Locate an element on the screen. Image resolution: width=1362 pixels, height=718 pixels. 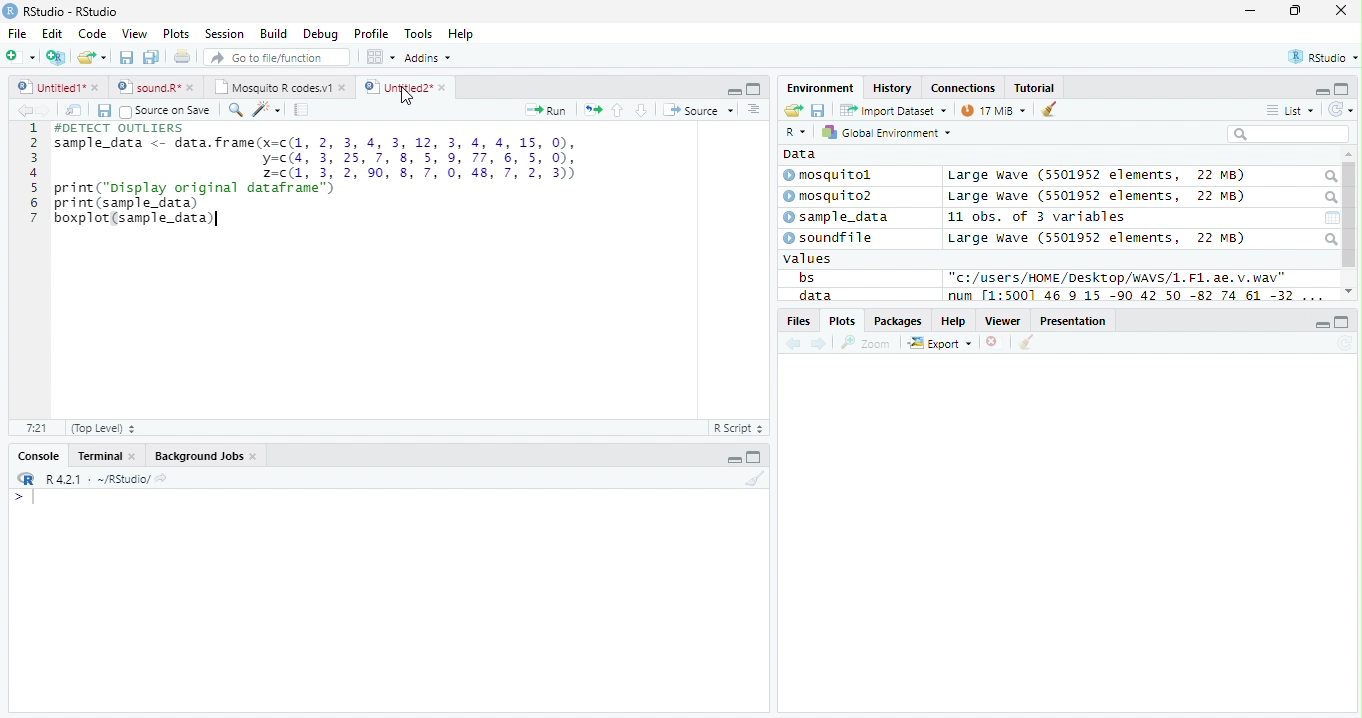
Find is located at coordinates (235, 110).